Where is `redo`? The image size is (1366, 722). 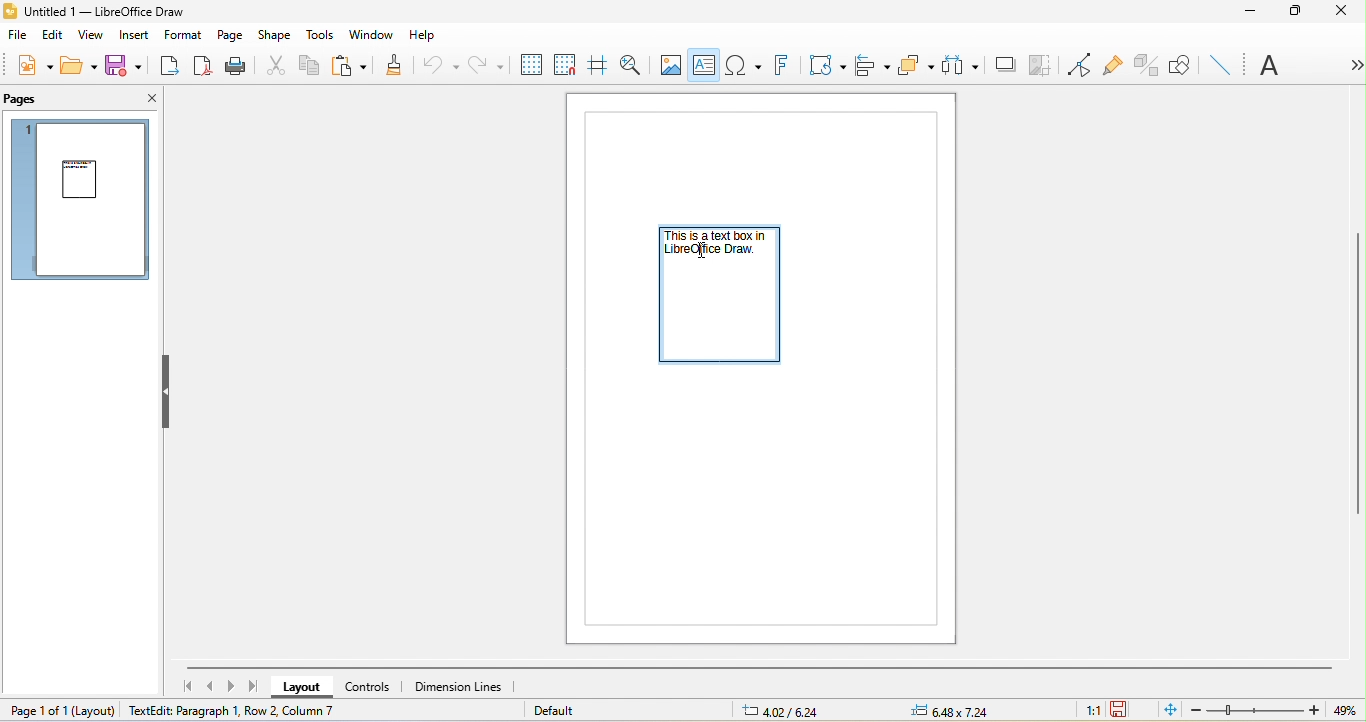 redo is located at coordinates (488, 66).